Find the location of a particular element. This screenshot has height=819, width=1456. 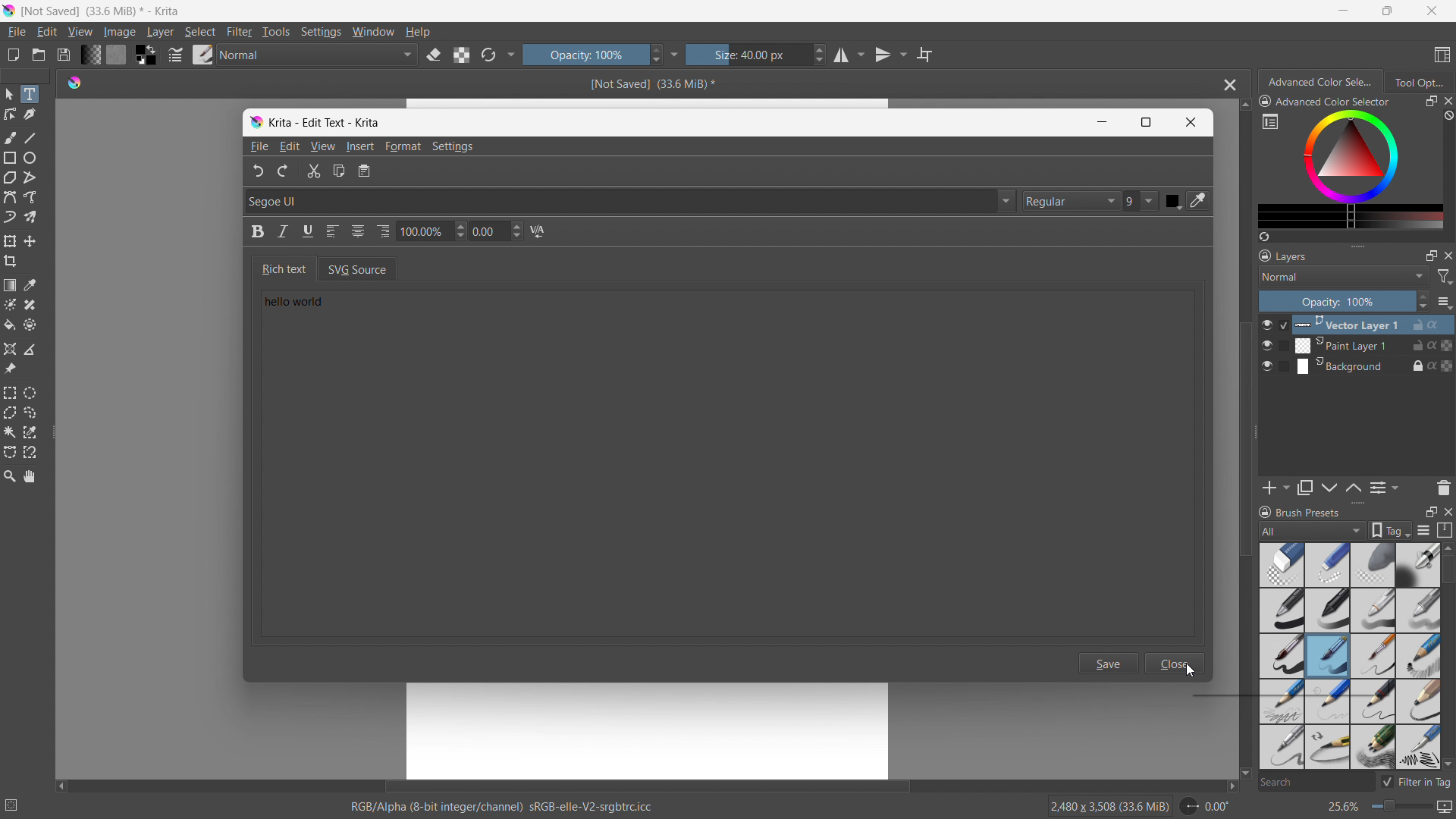

resize is located at coordinates (1357, 244).